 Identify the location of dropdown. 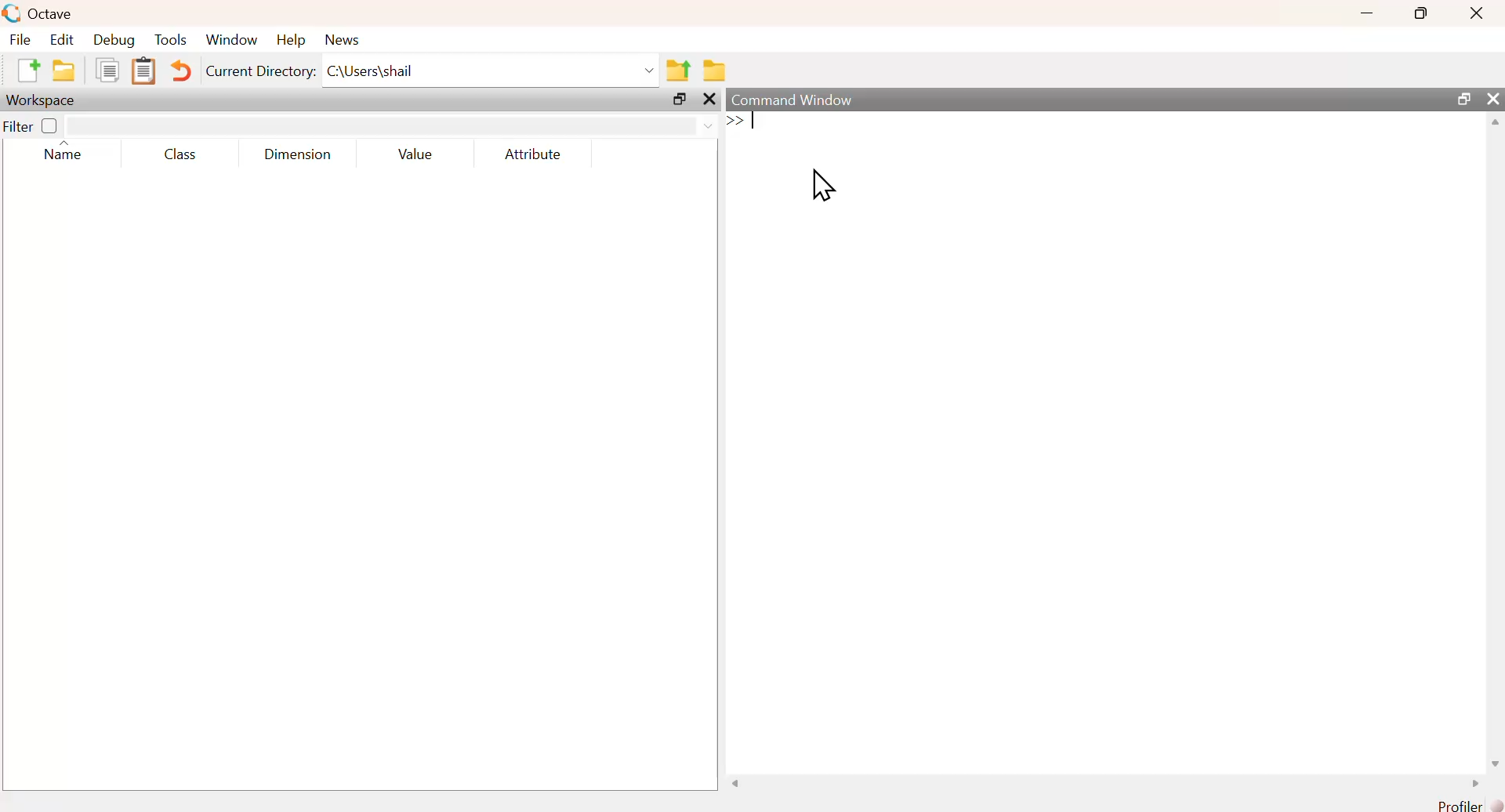
(648, 71).